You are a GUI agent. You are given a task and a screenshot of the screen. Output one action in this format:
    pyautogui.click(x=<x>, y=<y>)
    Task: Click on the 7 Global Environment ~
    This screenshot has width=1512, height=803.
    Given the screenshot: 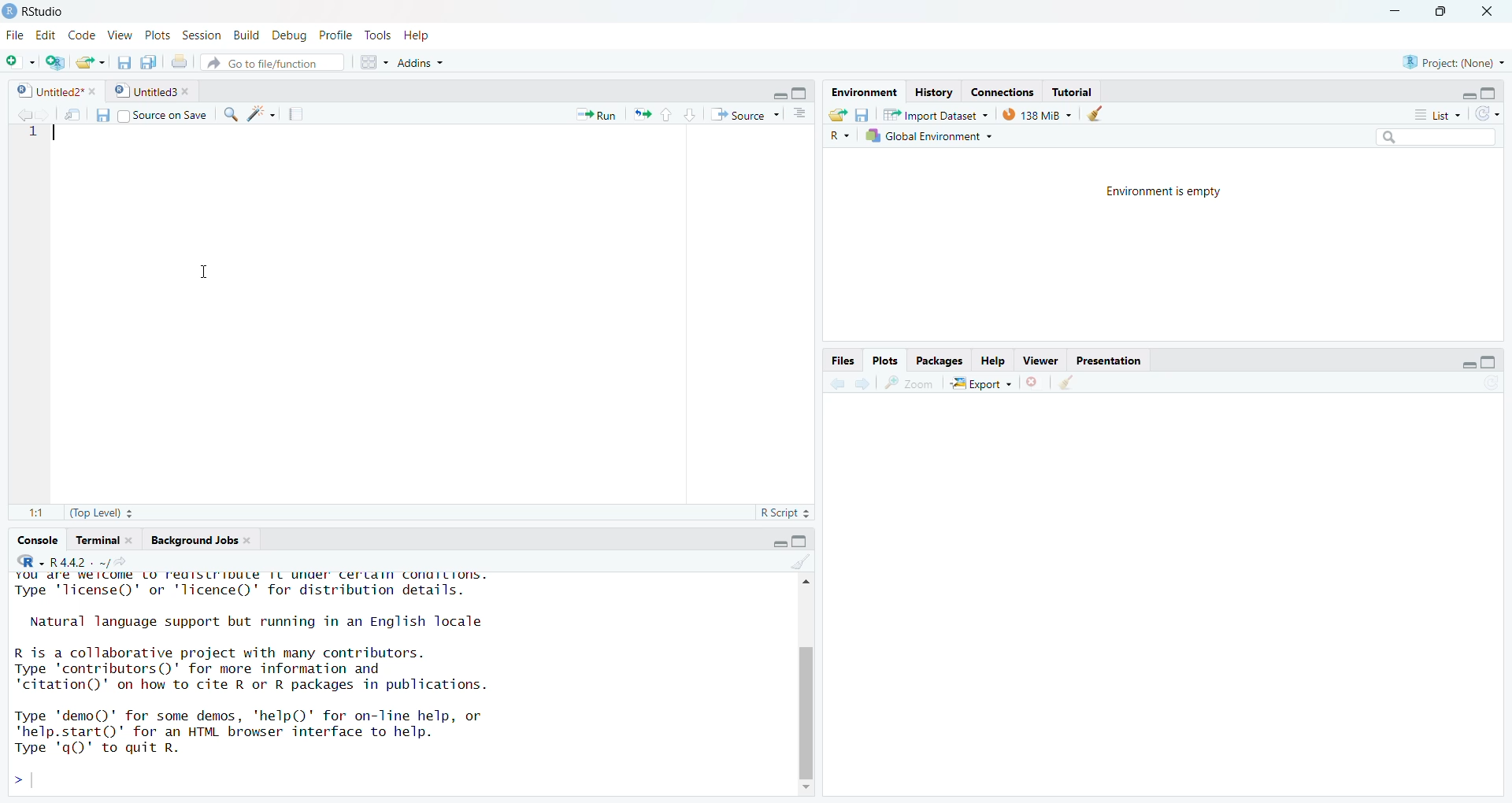 What is the action you would take?
    pyautogui.click(x=932, y=135)
    